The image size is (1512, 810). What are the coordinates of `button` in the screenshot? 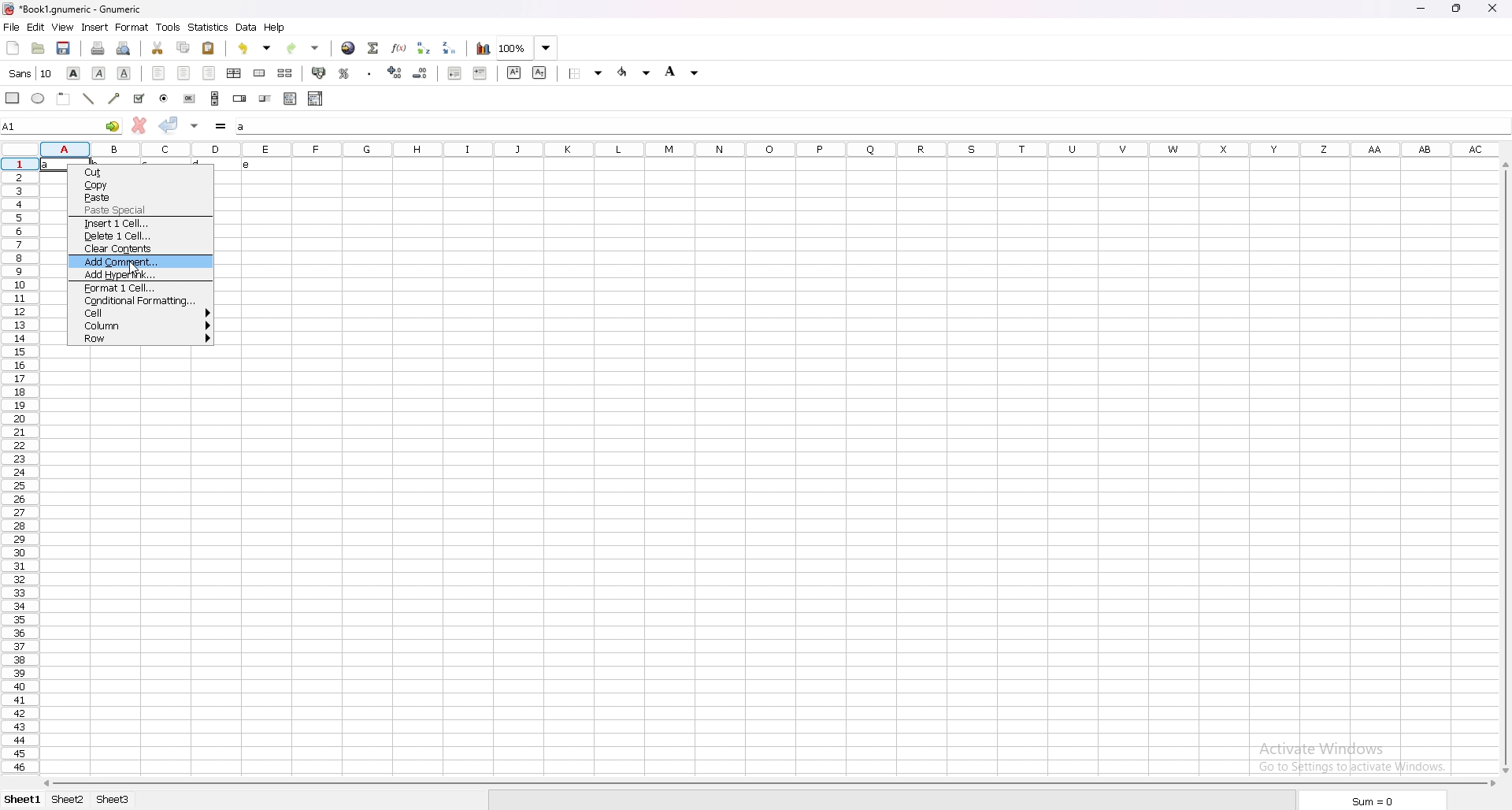 It's located at (188, 98).